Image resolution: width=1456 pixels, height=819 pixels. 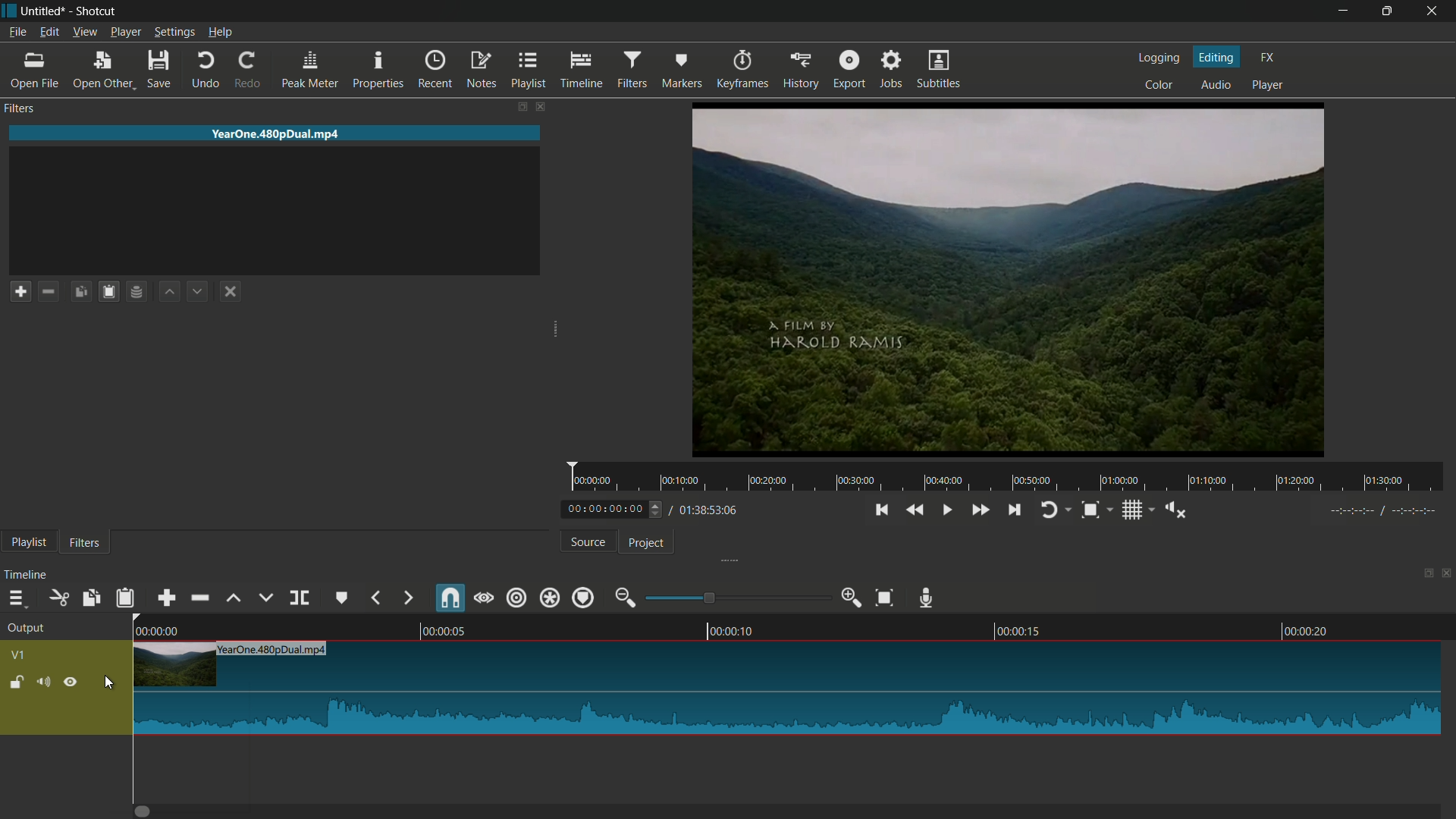 I want to click on scrub while dragging, so click(x=485, y=598).